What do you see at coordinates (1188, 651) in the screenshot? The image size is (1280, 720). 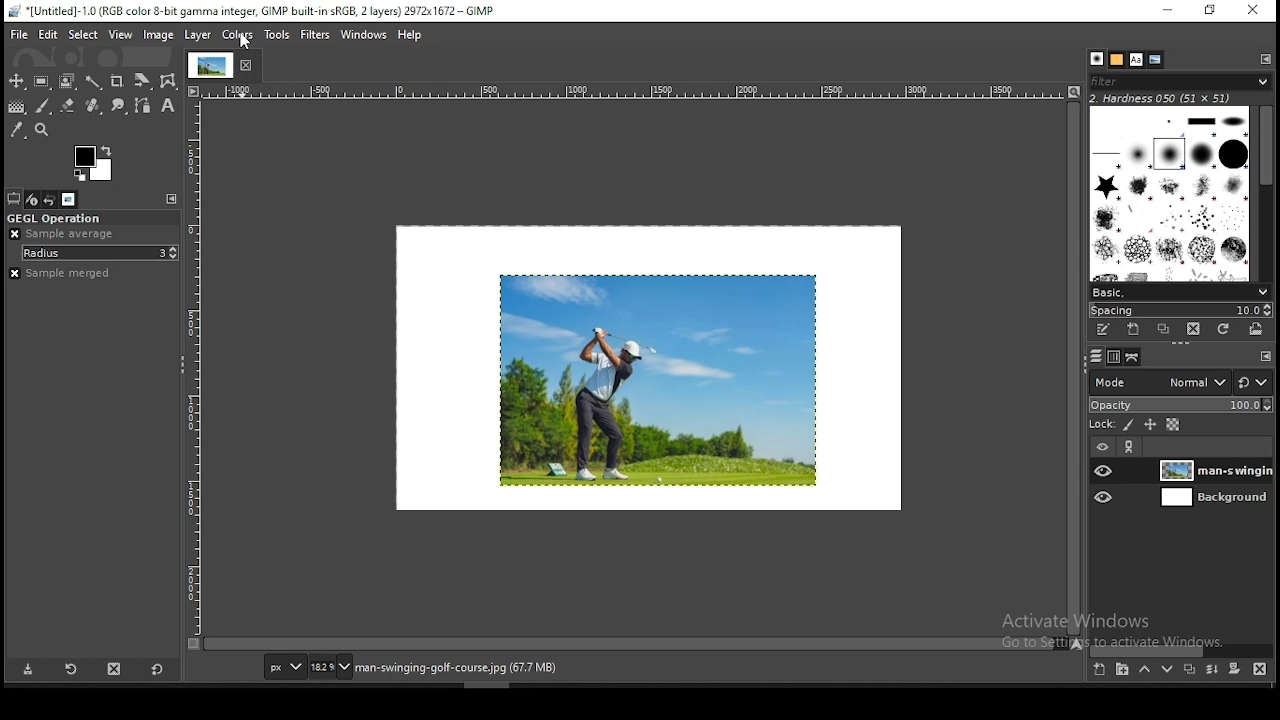 I see `scroll bar` at bounding box center [1188, 651].